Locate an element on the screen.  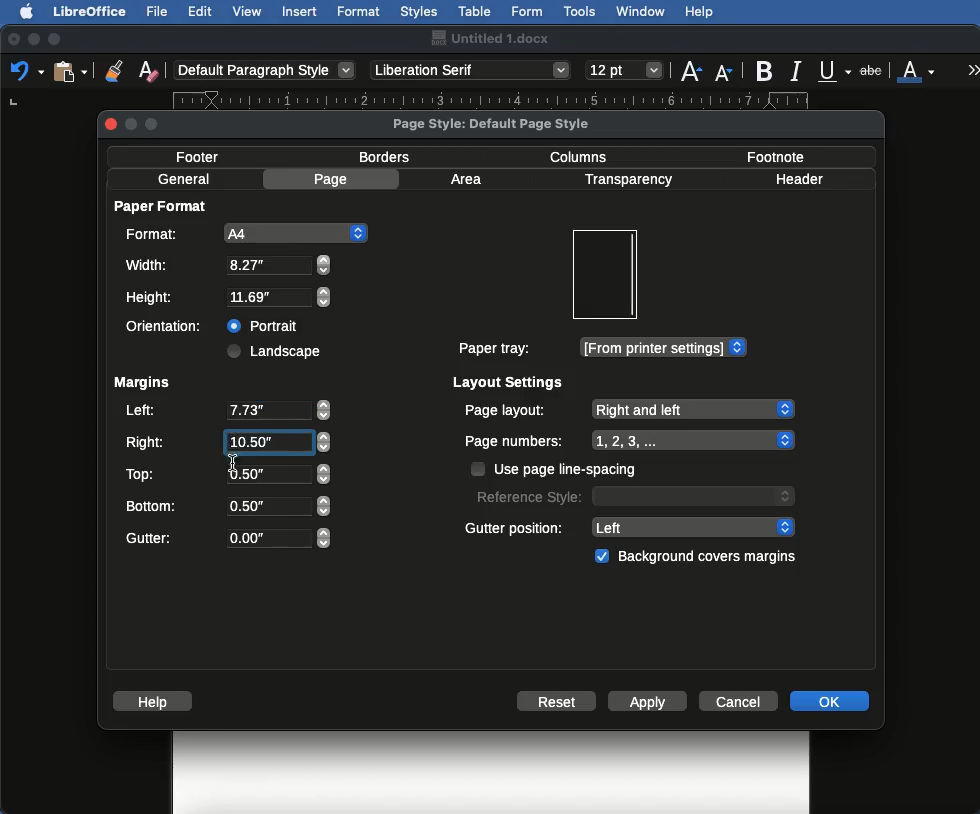
Help is located at coordinates (156, 701).